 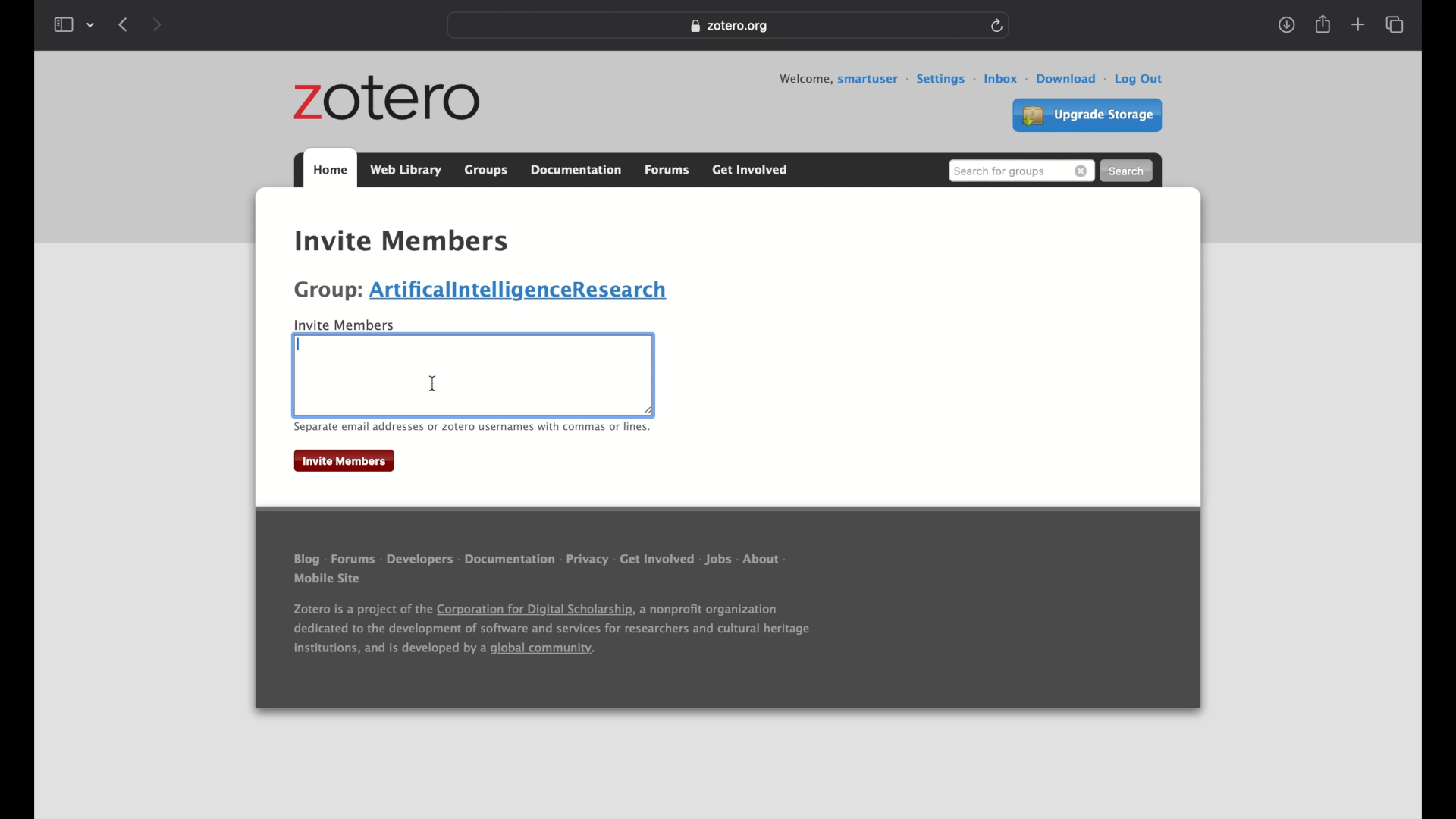 I want to click on highlighted text boundary, so click(x=297, y=384).